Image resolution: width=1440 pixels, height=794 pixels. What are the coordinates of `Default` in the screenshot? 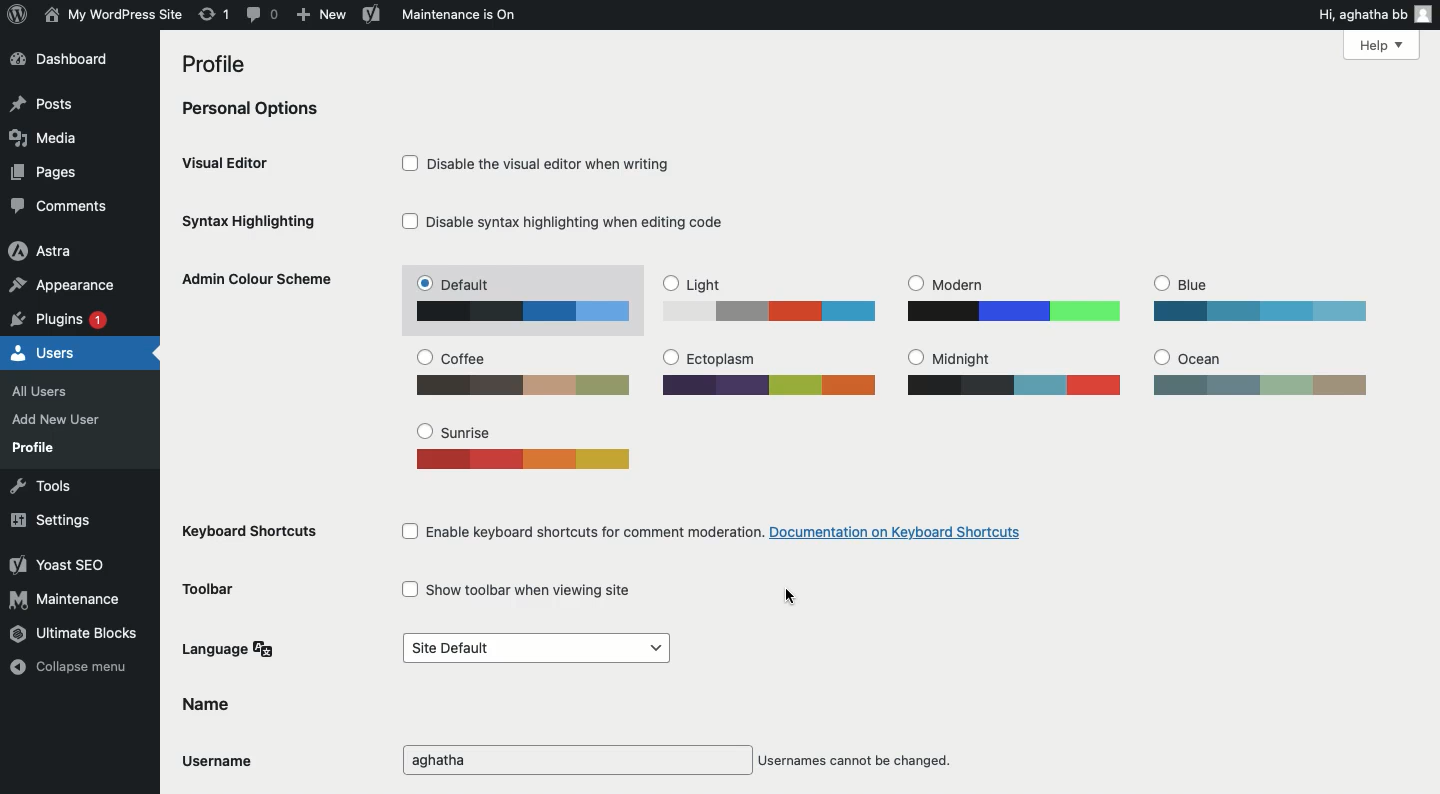 It's located at (536, 648).